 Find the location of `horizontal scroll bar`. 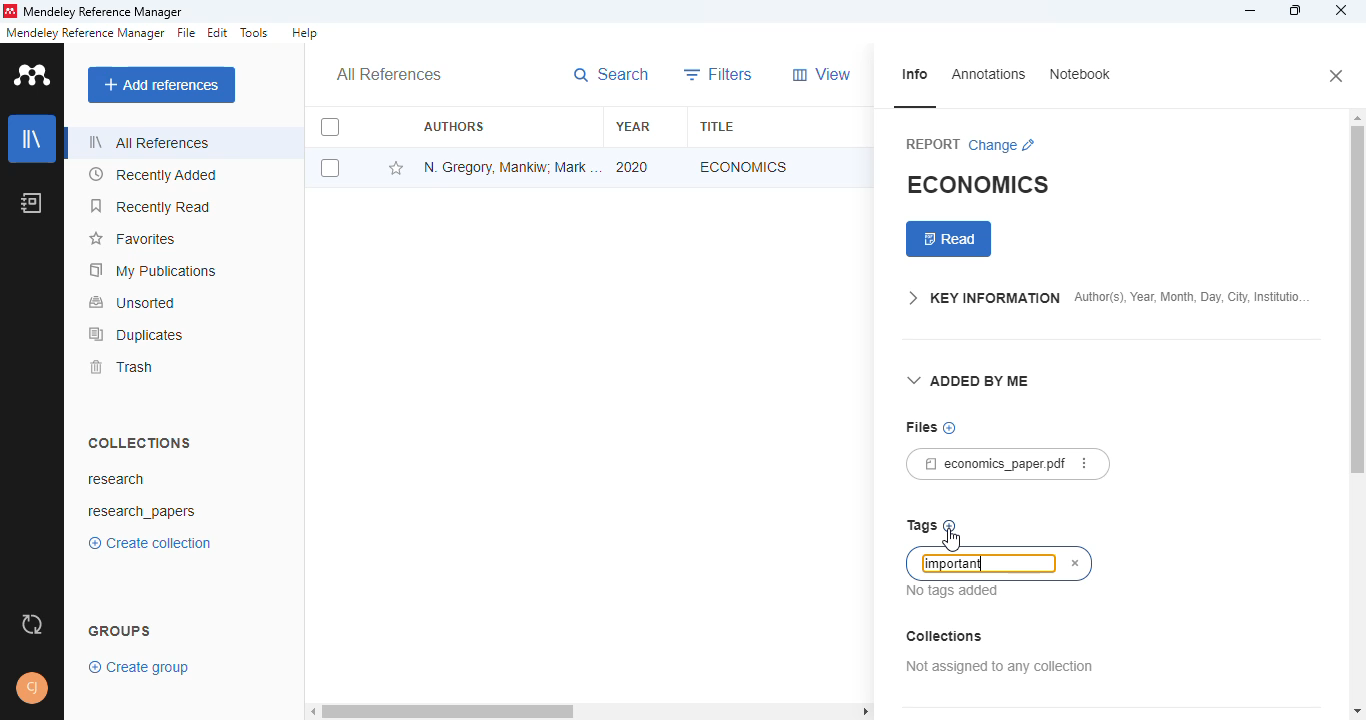

horizontal scroll bar is located at coordinates (587, 711).